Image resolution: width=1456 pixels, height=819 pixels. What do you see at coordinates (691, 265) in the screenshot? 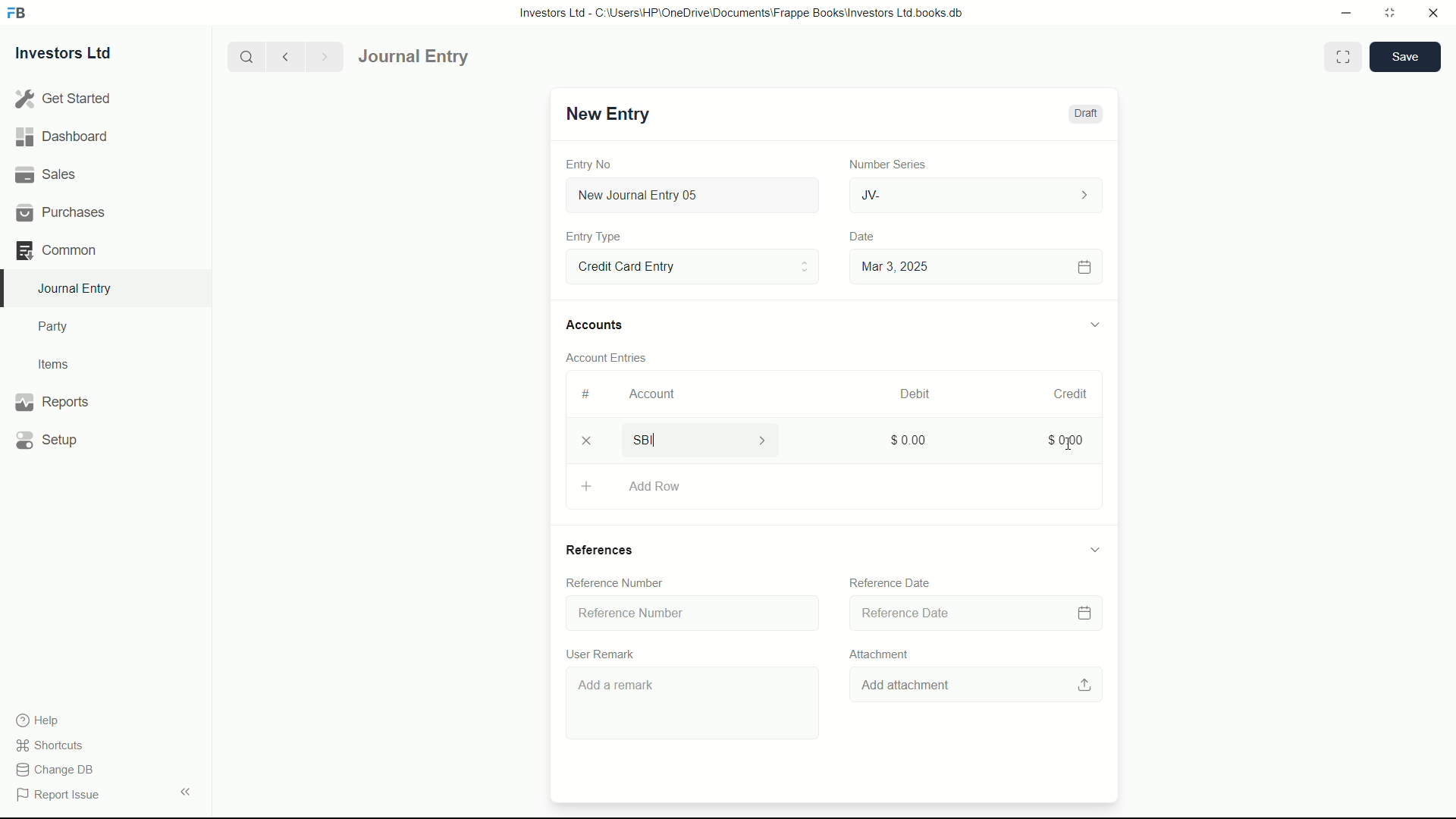
I see `Entry Type` at bounding box center [691, 265].